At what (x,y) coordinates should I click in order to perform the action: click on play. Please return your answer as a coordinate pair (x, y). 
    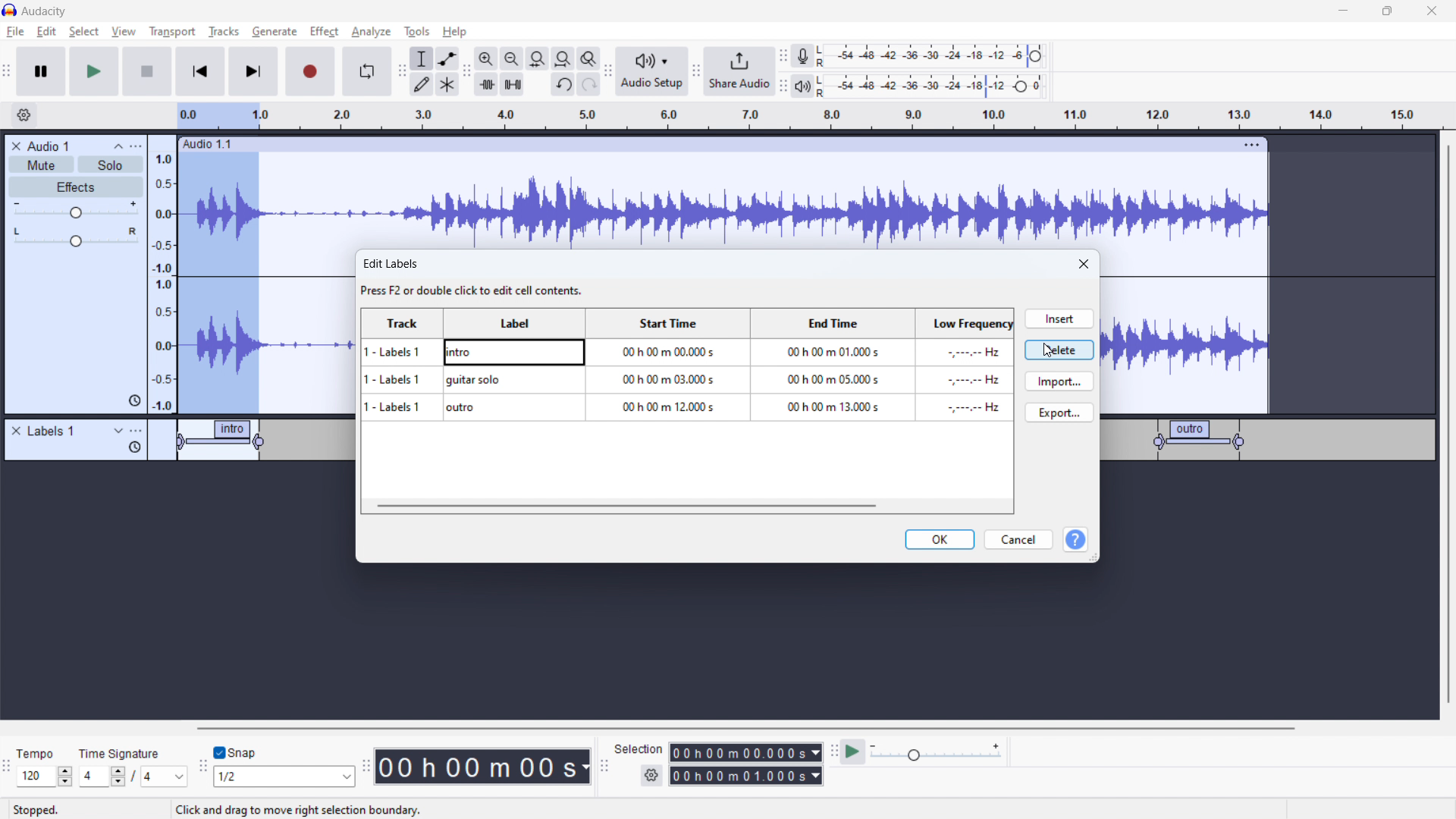
    Looking at the image, I should click on (93, 71).